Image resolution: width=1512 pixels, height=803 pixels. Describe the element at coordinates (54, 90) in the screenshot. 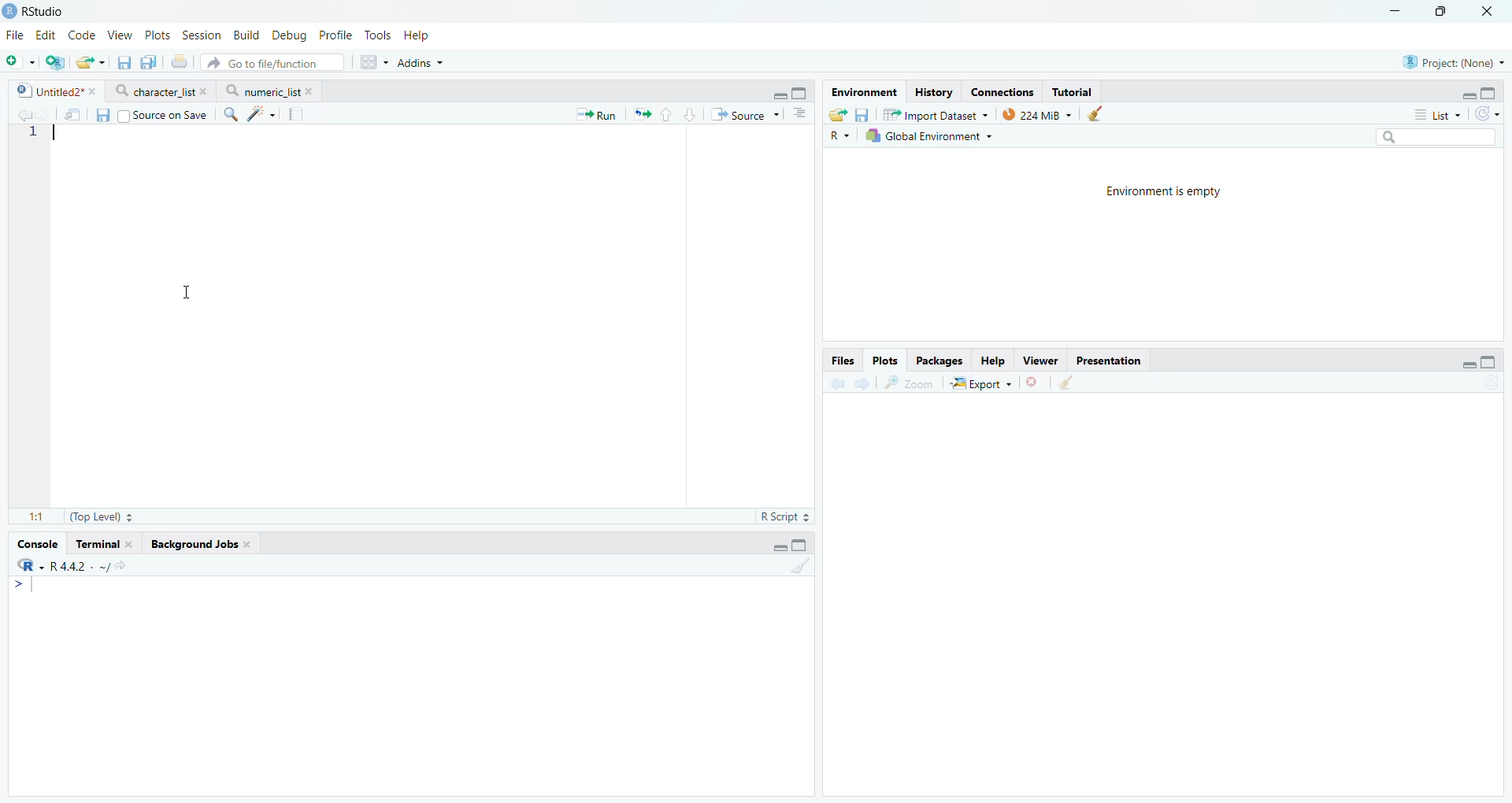

I see `Untitled2*` at that location.